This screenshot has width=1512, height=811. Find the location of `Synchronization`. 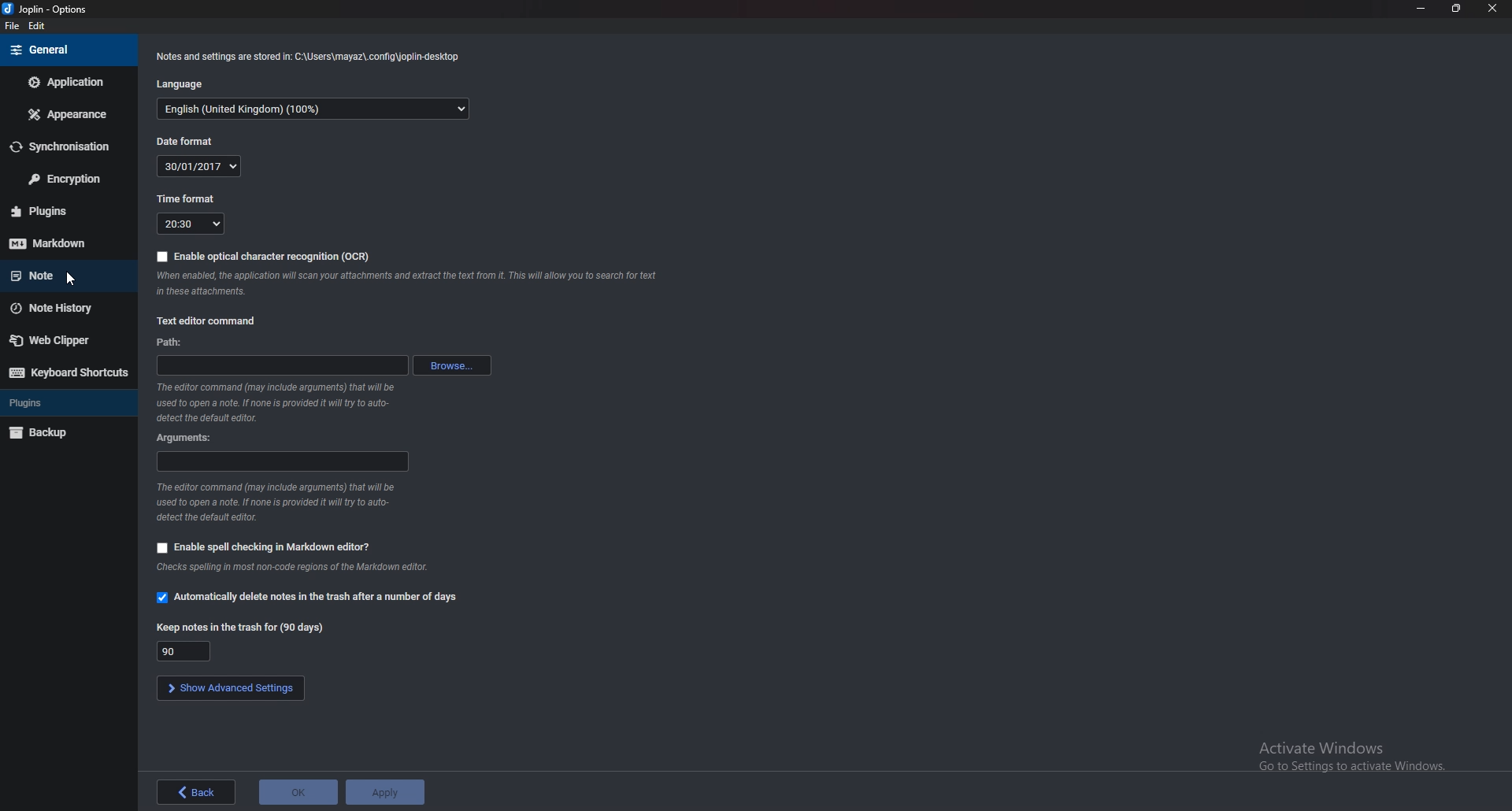

Synchronization is located at coordinates (68, 146).